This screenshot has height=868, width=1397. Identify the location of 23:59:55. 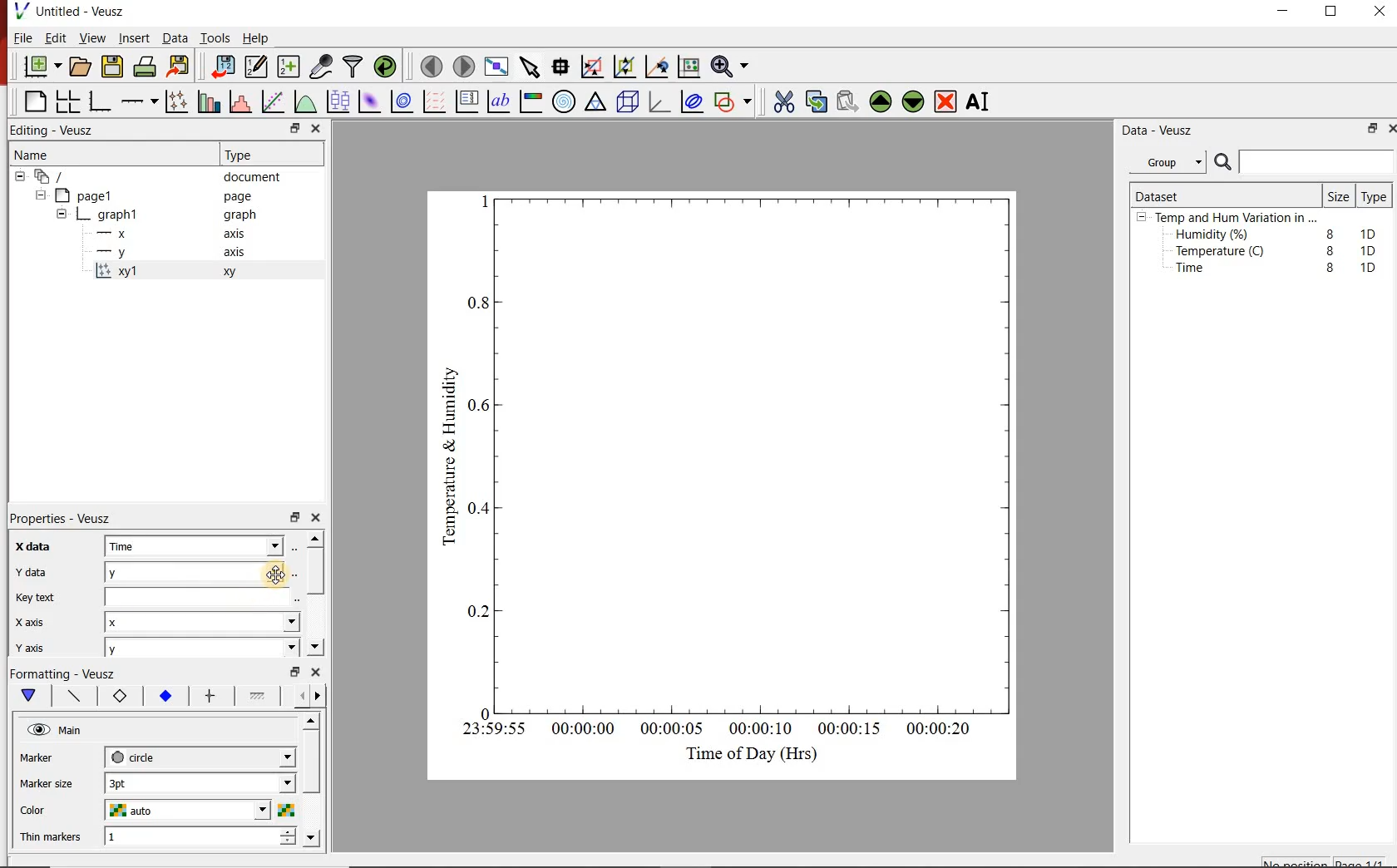
(487, 730).